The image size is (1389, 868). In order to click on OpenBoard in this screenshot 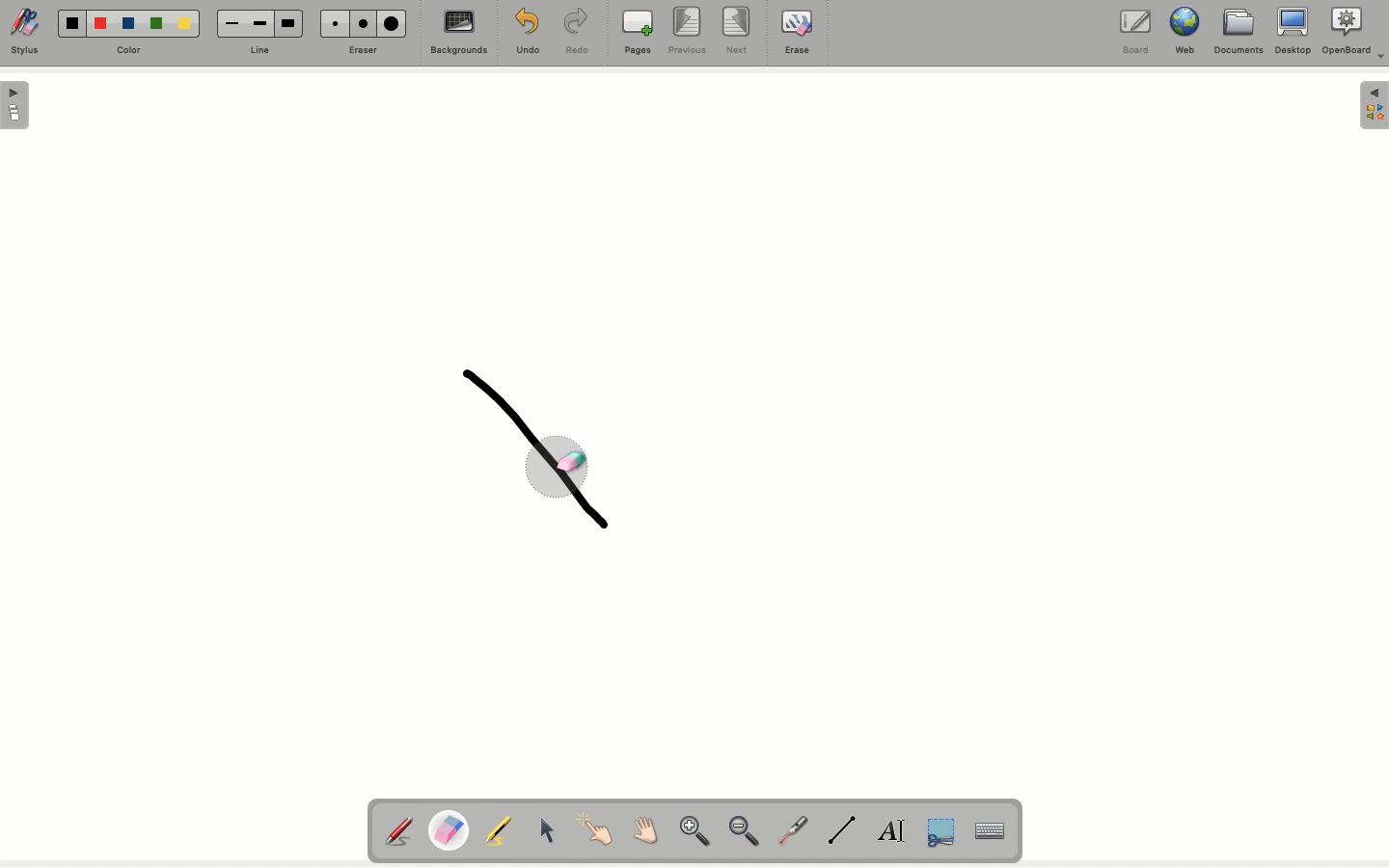, I will do `click(1355, 33)`.